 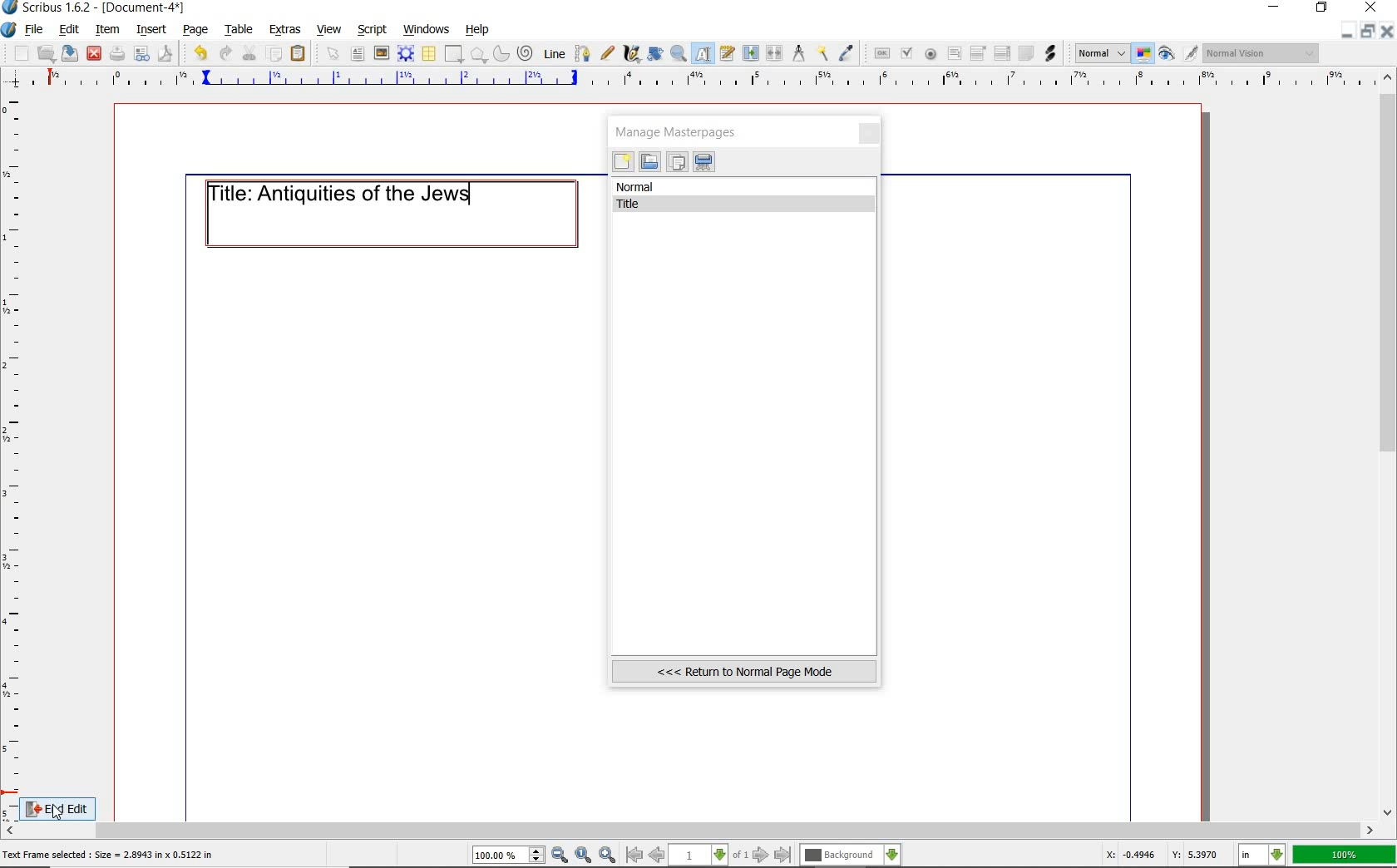 I want to click on pdf check box, so click(x=906, y=53).